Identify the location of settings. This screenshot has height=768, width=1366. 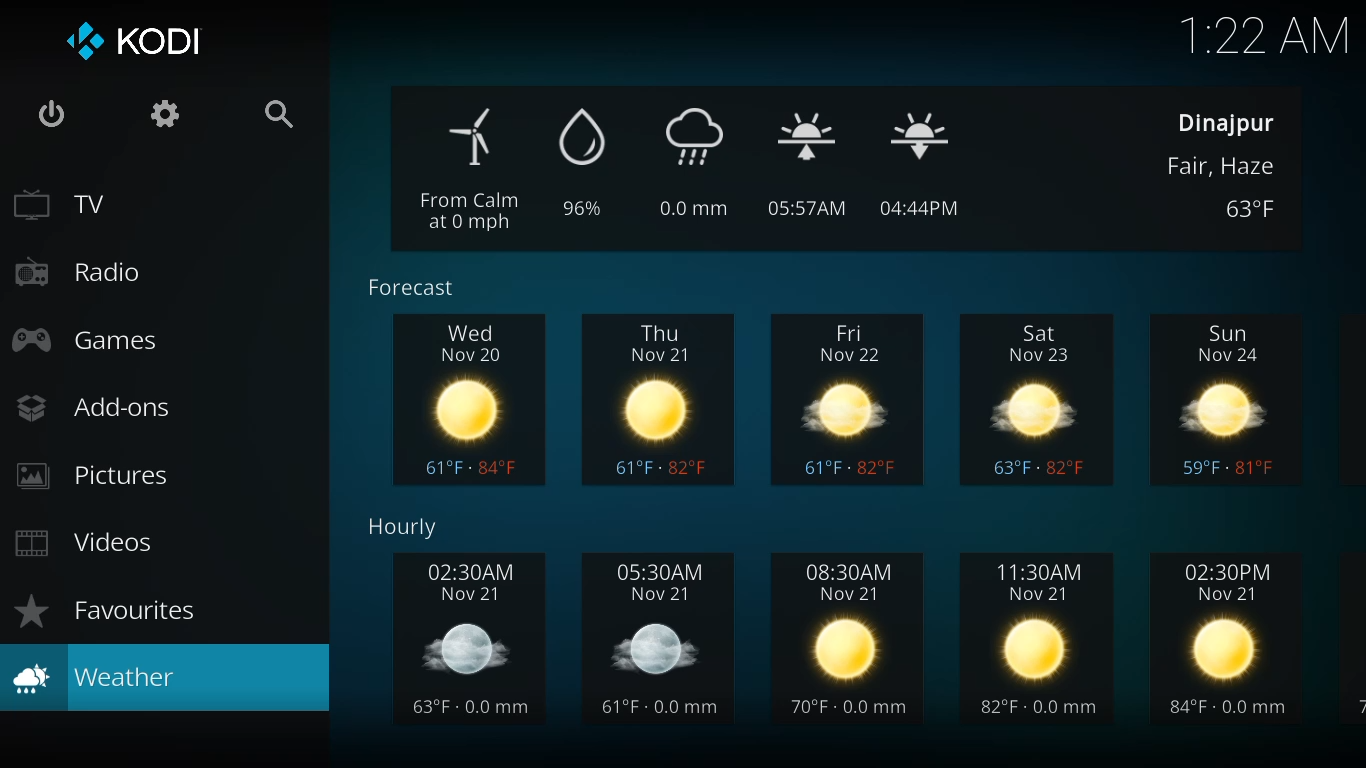
(164, 112).